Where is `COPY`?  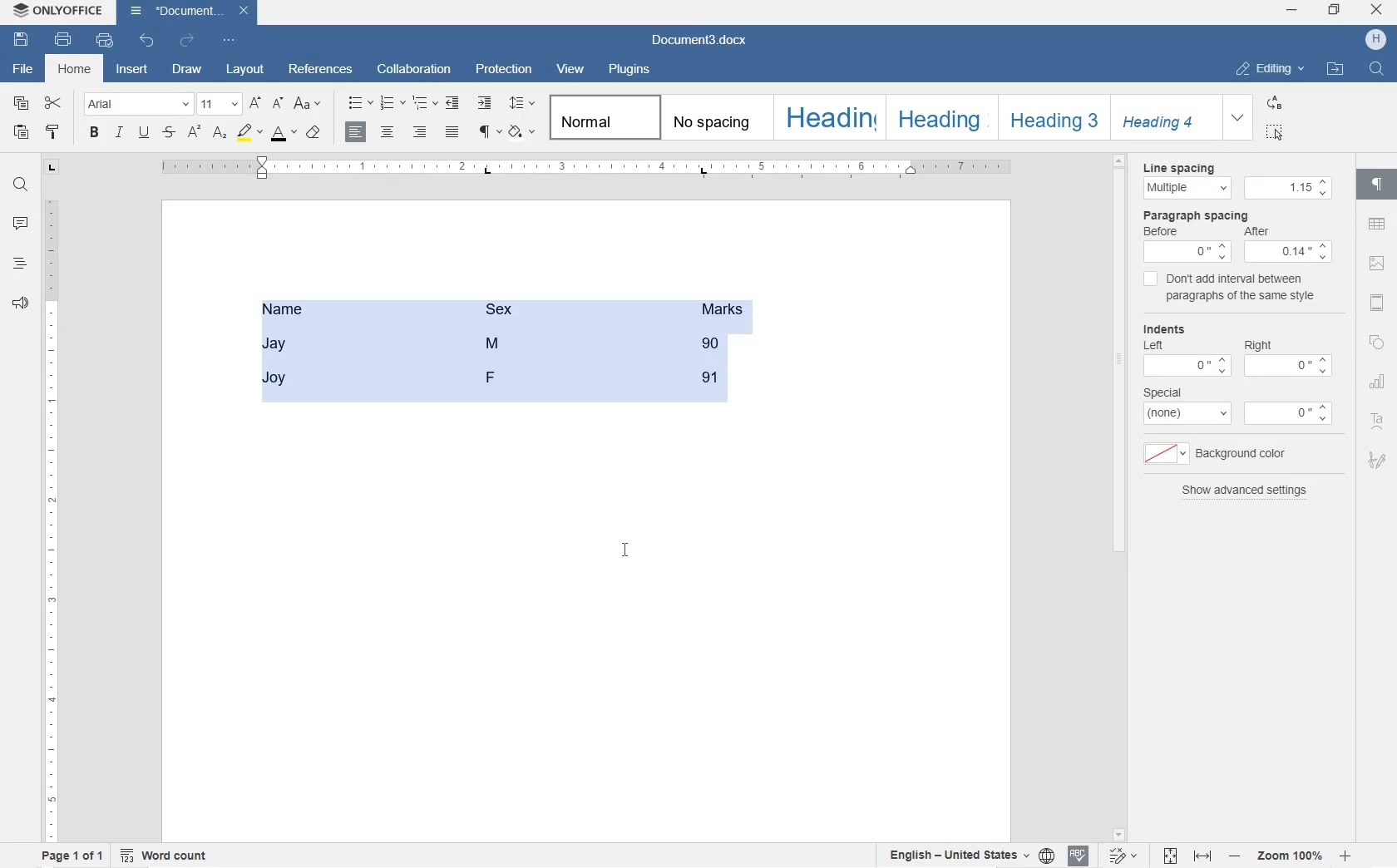 COPY is located at coordinates (21, 104).